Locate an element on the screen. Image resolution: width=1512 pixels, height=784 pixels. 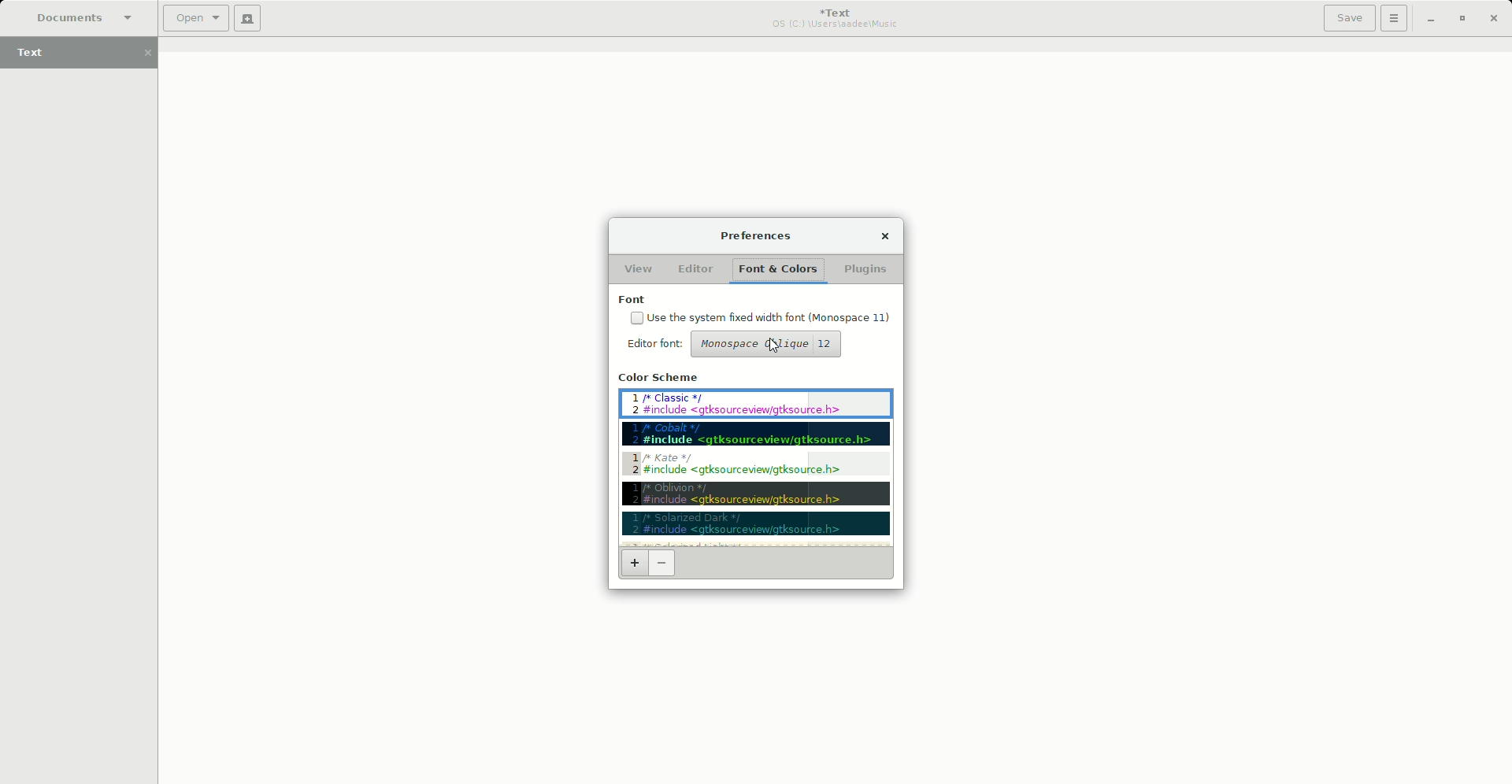
Use the system fixed width is located at coordinates (762, 316).